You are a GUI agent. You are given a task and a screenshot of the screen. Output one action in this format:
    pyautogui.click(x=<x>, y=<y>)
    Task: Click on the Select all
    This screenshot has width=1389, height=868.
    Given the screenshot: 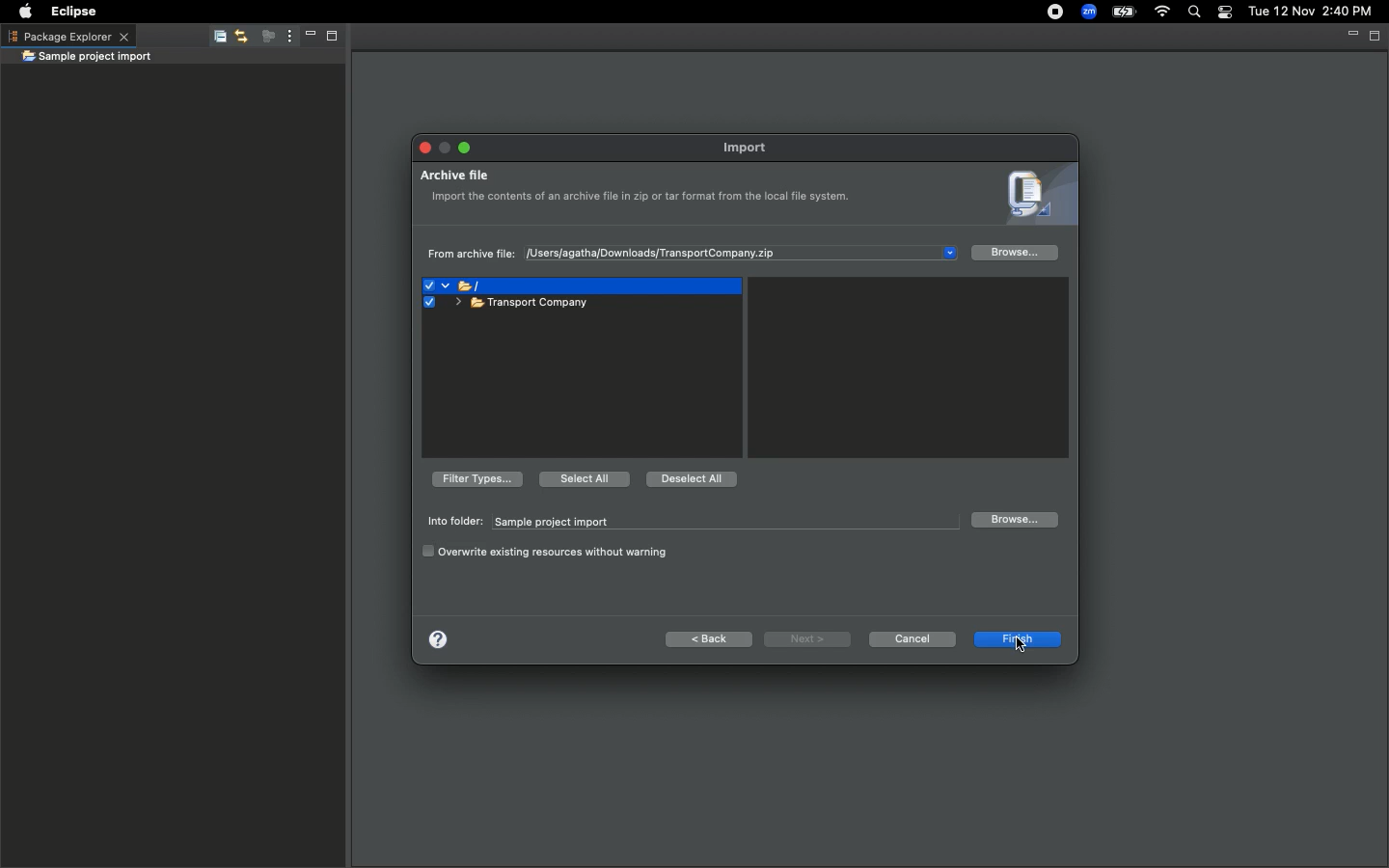 What is the action you would take?
    pyautogui.click(x=583, y=477)
    